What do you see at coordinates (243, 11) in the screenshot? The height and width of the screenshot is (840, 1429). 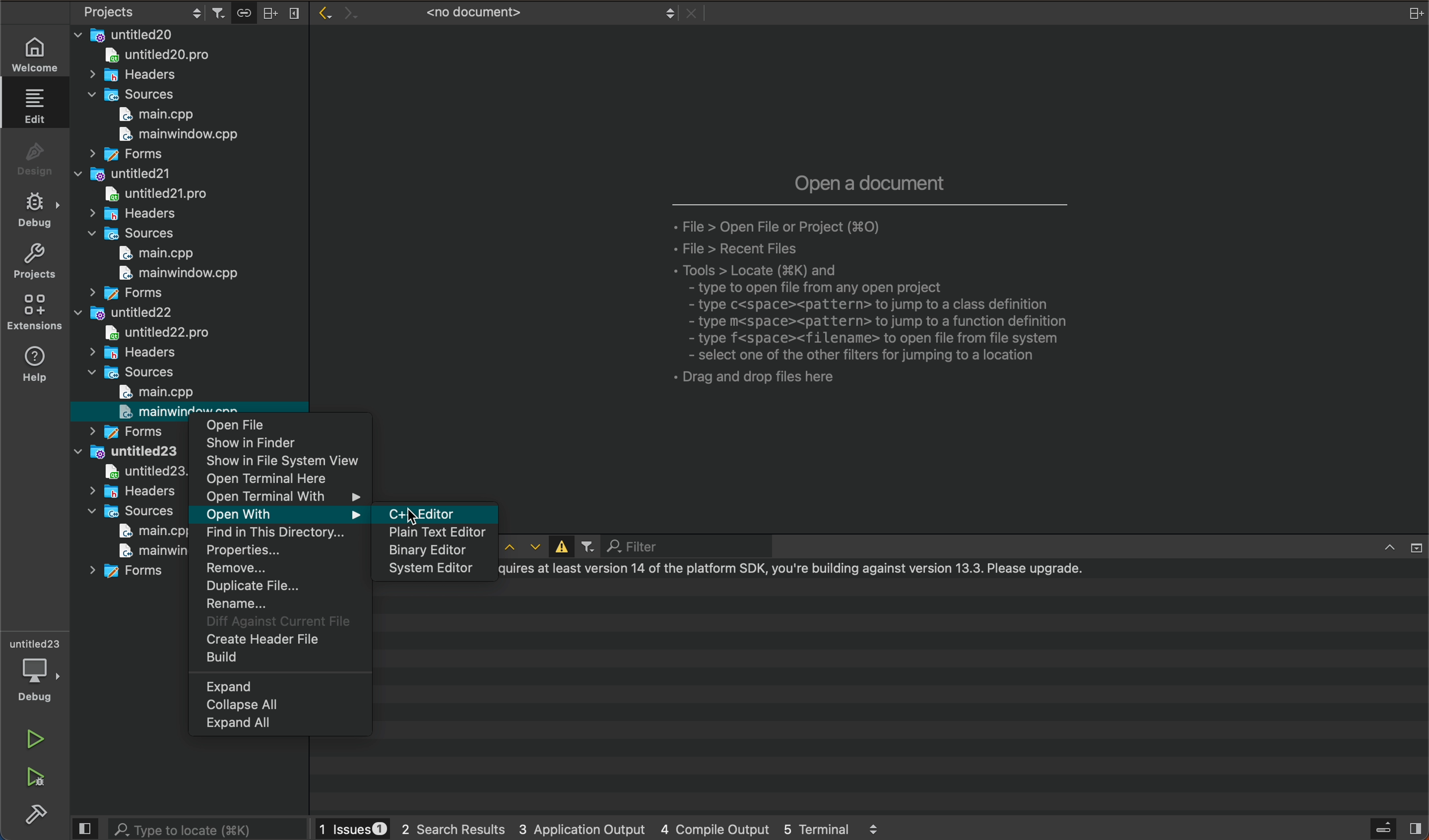 I see `link` at bounding box center [243, 11].